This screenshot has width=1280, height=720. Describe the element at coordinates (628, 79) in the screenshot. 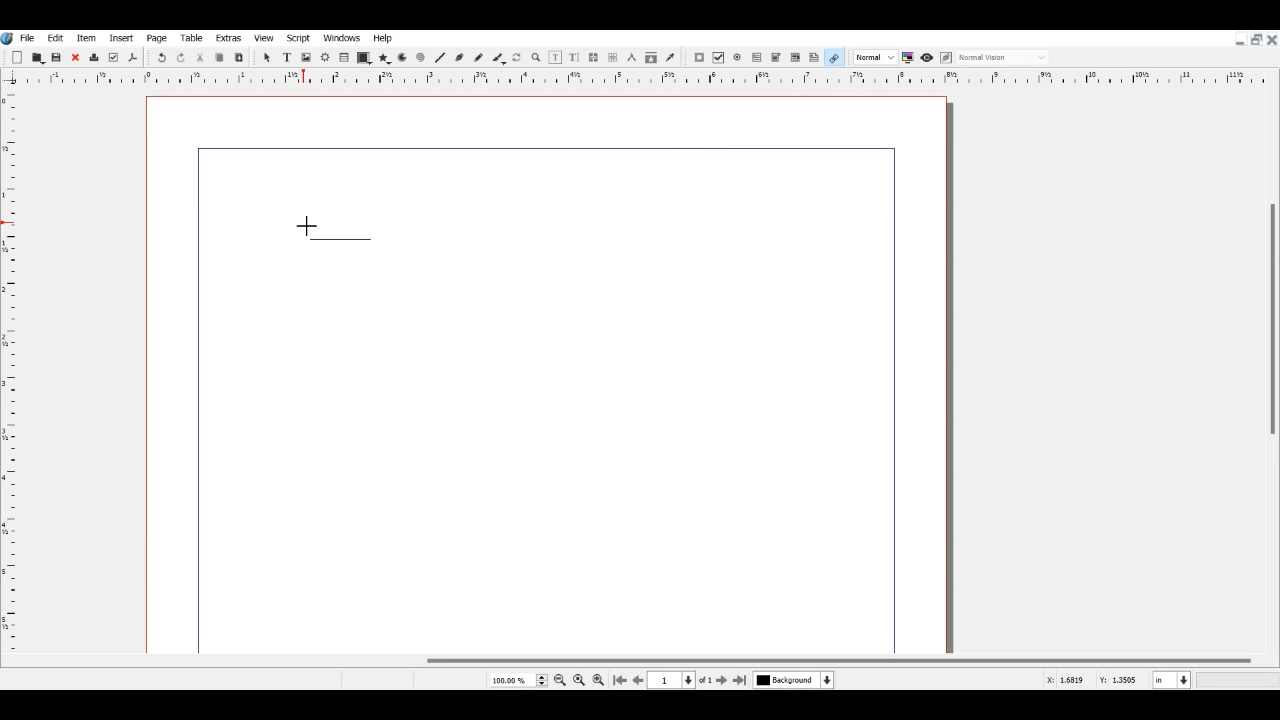

I see `Vertical scale` at that location.